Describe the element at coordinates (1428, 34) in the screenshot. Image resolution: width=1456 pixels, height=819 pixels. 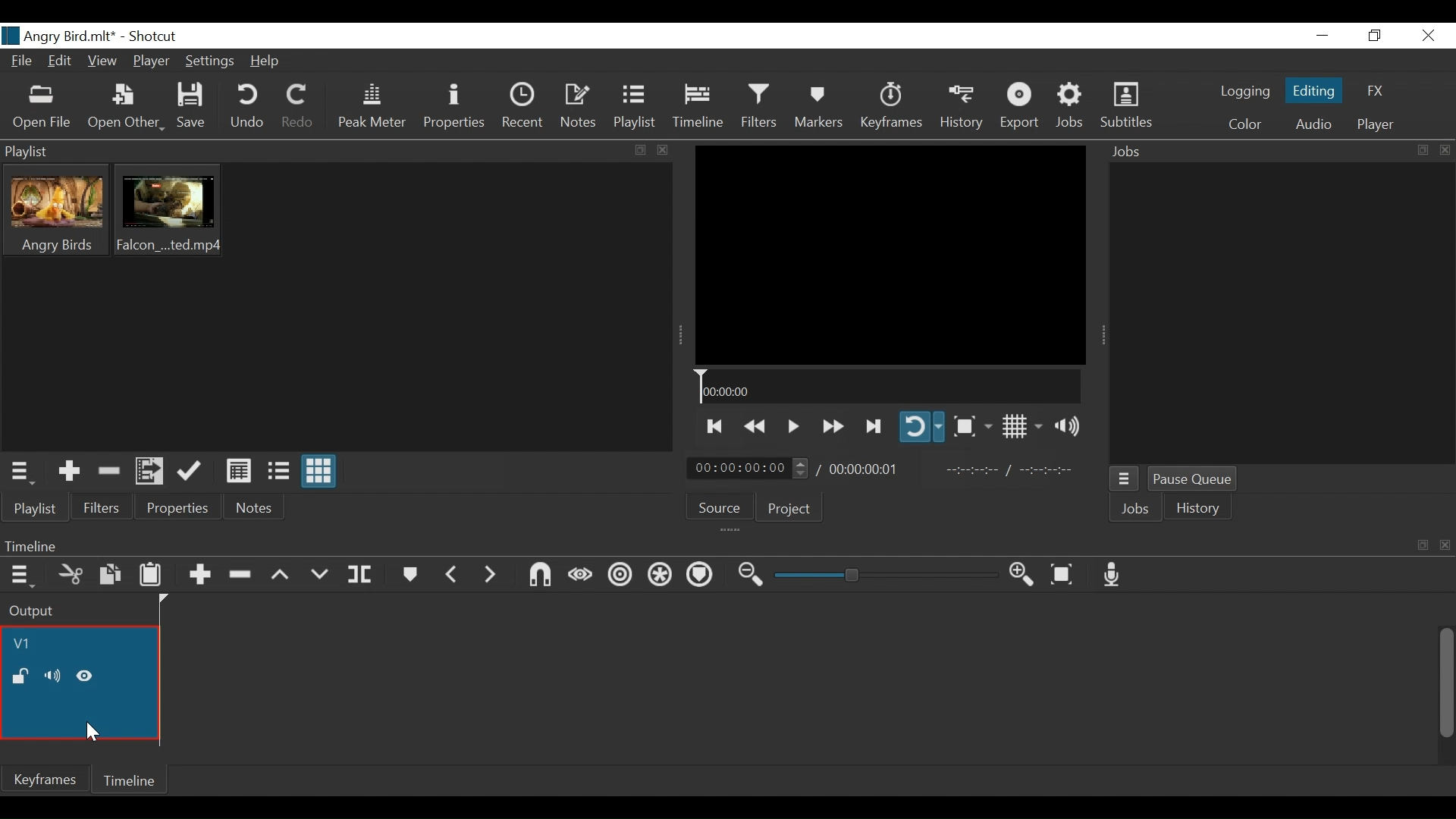
I see `Close` at that location.